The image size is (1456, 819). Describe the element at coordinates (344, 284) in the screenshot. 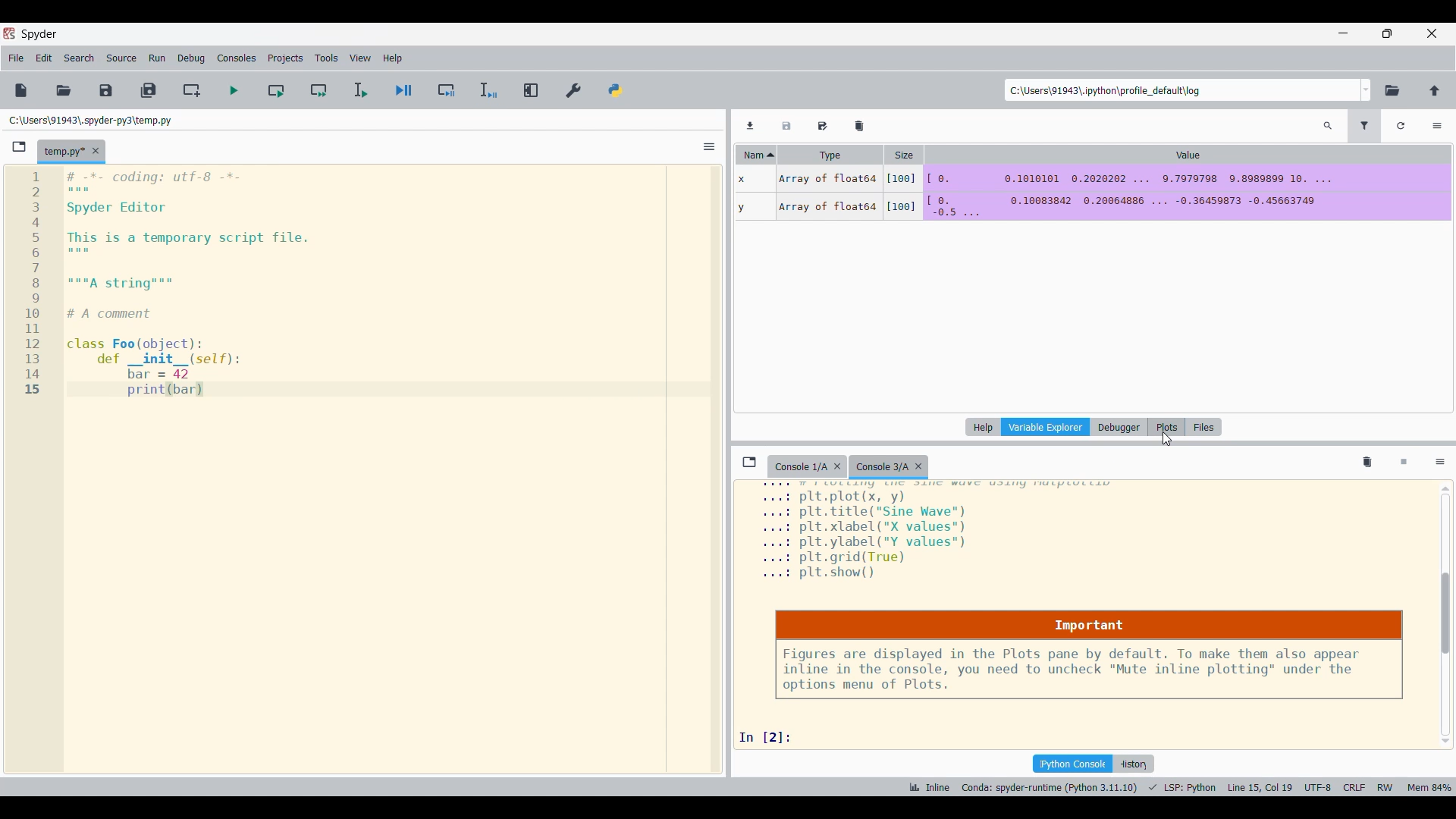

I see `editor pane` at that location.